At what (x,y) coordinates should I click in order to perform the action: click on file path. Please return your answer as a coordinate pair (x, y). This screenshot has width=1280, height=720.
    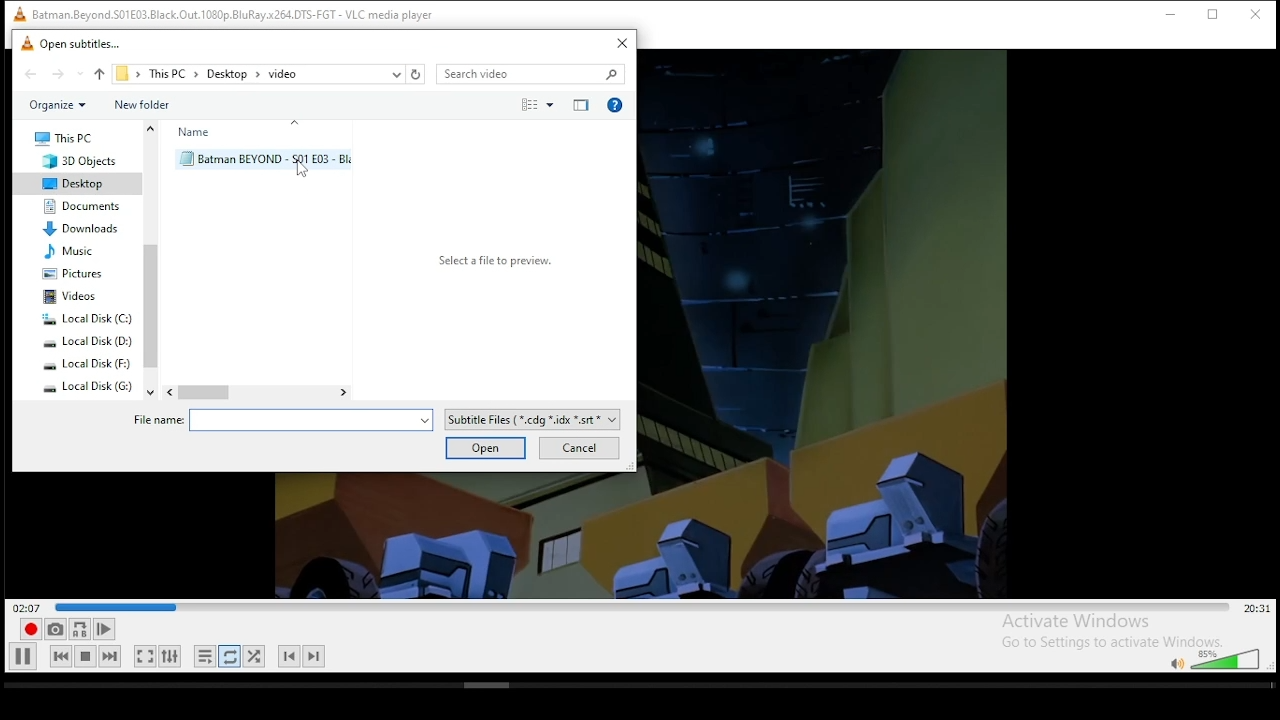
    Looking at the image, I should click on (127, 73).